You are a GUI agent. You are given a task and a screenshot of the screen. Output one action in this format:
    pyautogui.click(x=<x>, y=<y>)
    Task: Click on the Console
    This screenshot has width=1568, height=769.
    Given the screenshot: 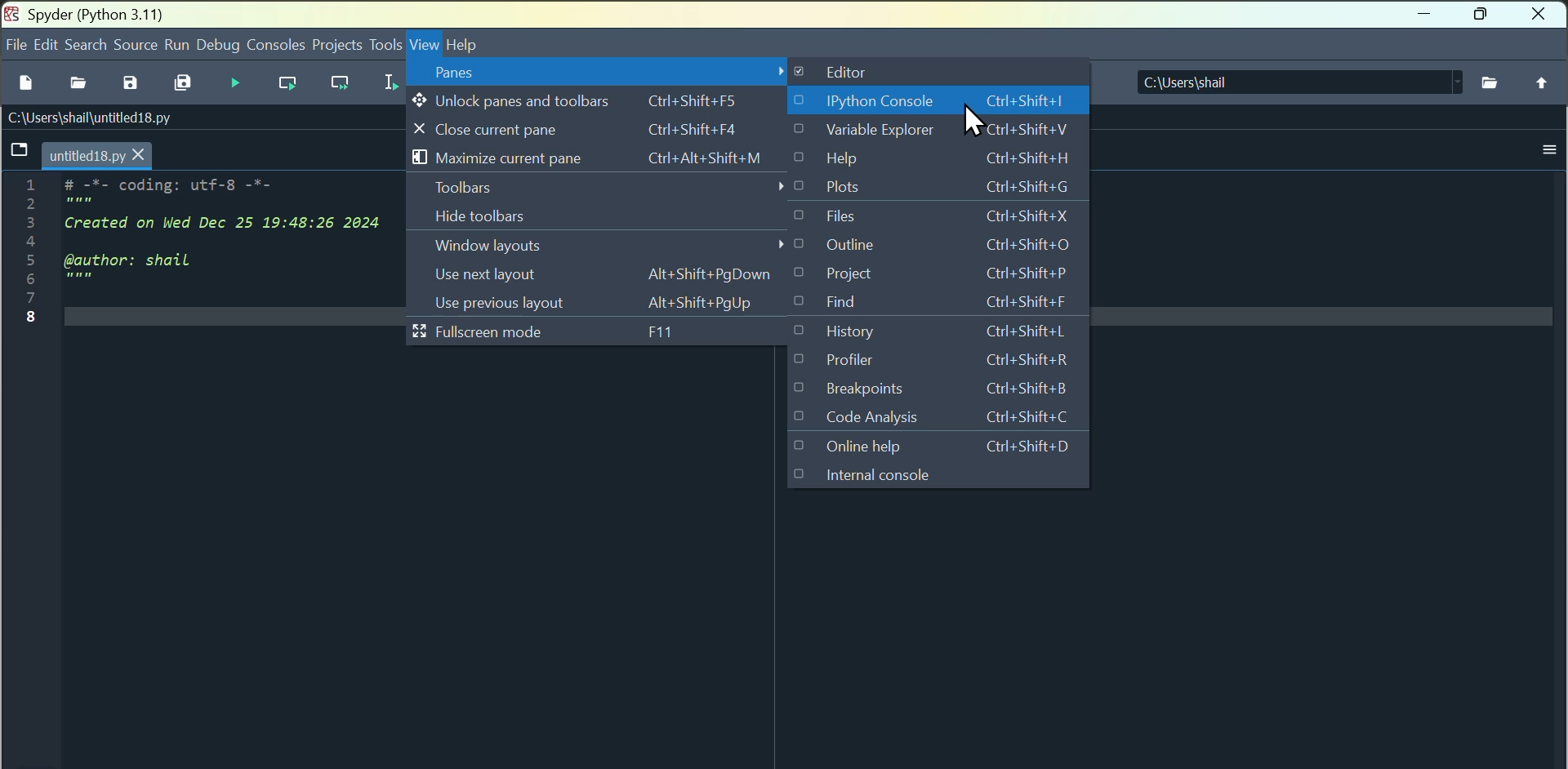 What is the action you would take?
    pyautogui.click(x=277, y=44)
    